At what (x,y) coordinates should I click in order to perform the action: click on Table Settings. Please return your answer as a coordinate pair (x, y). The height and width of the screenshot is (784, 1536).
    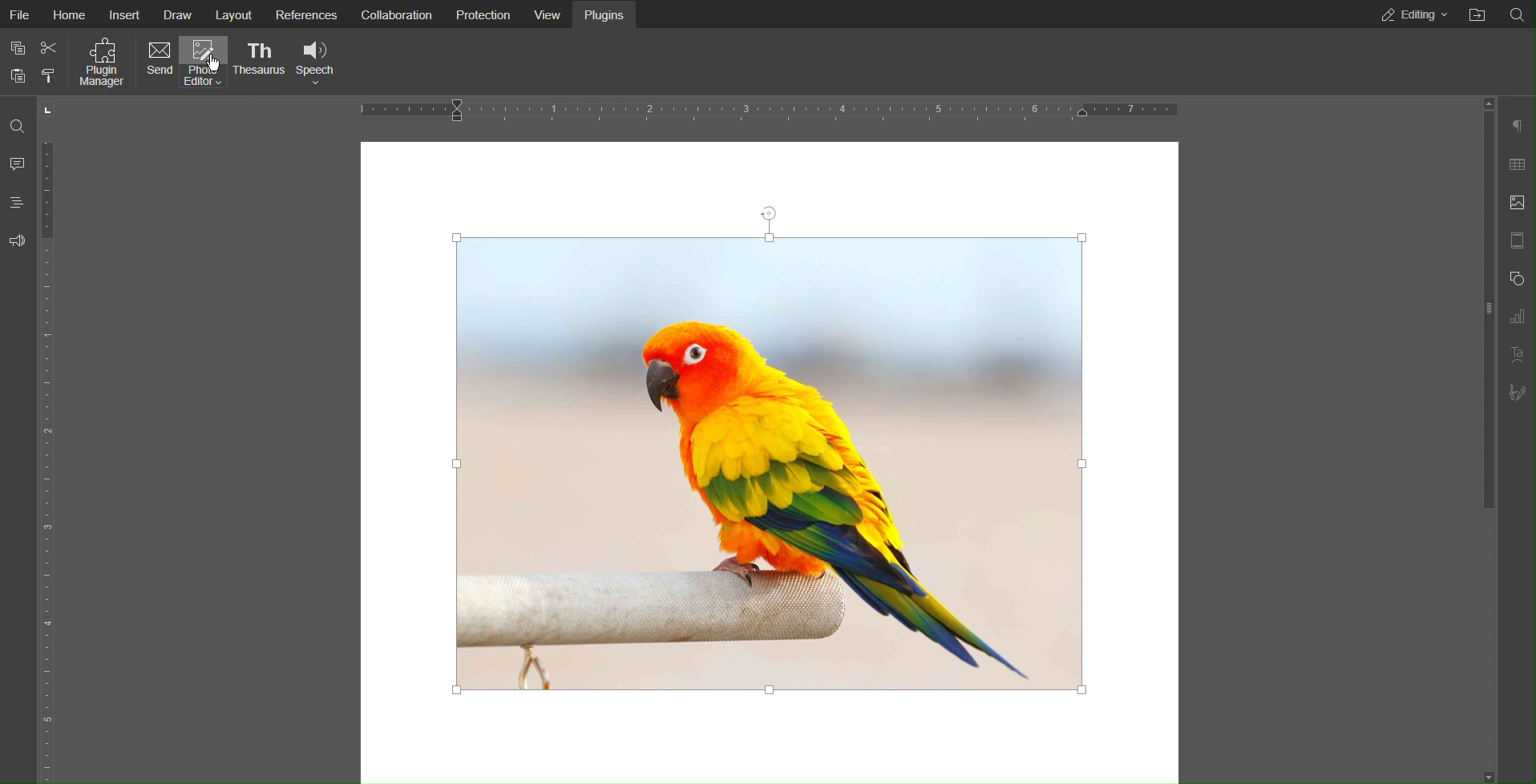
    Looking at the image, I should click on (1516, 164).